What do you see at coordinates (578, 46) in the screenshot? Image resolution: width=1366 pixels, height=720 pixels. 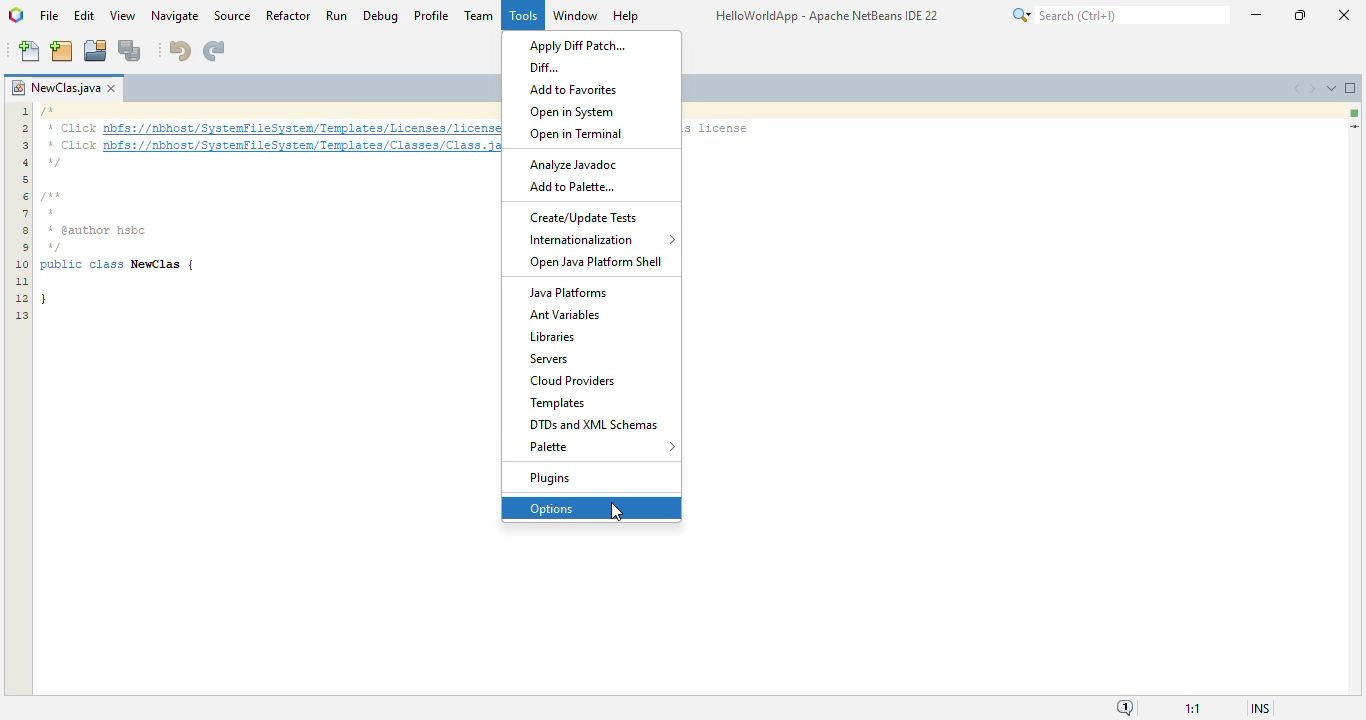 I see `apply diff patch` at bounding box center [578, 46].